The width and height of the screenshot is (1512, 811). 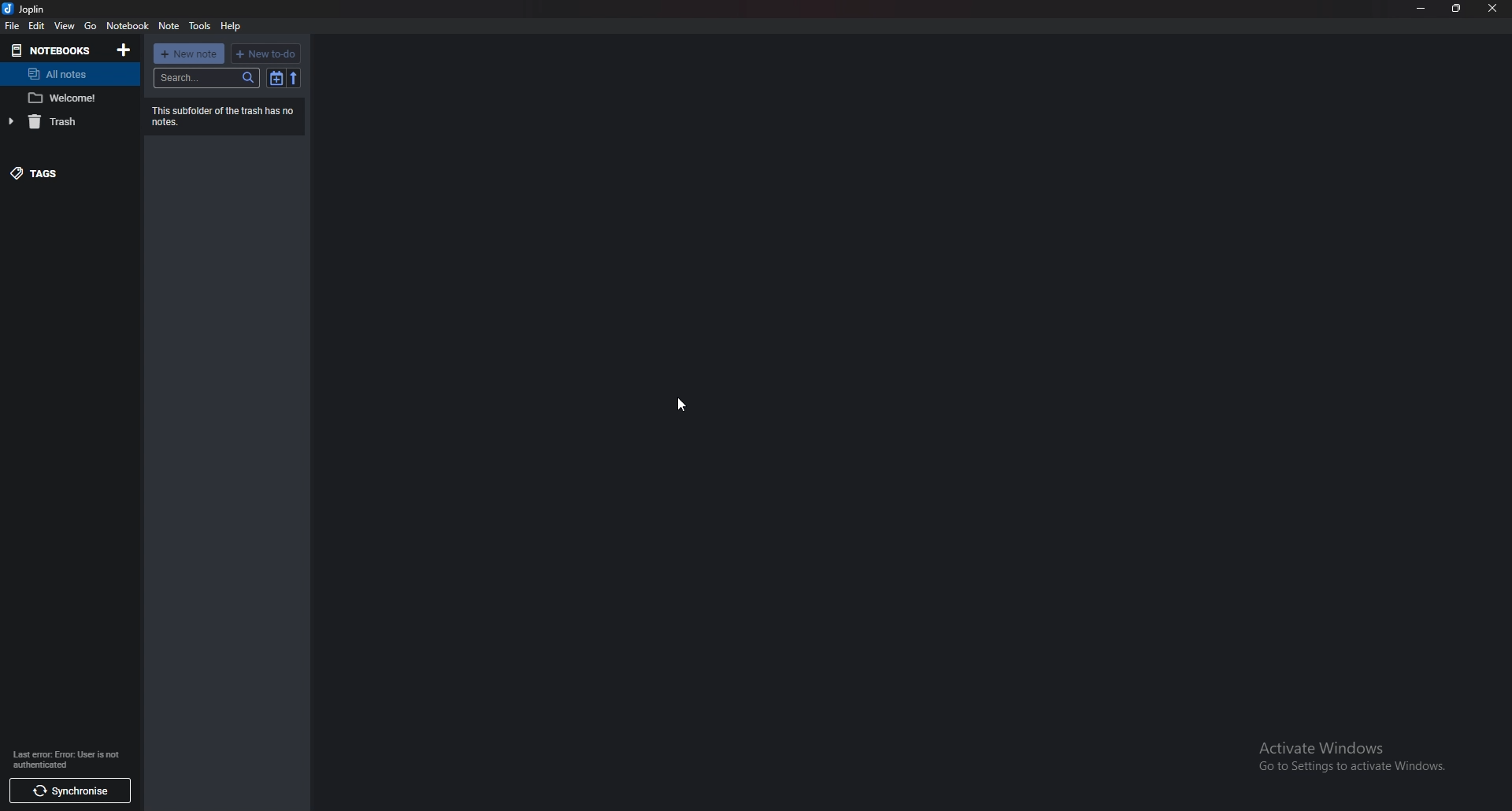 What do you see at coordinates (54, 51) in the screenshot?
I see `Notebooks` at bounding box center [54, 51].